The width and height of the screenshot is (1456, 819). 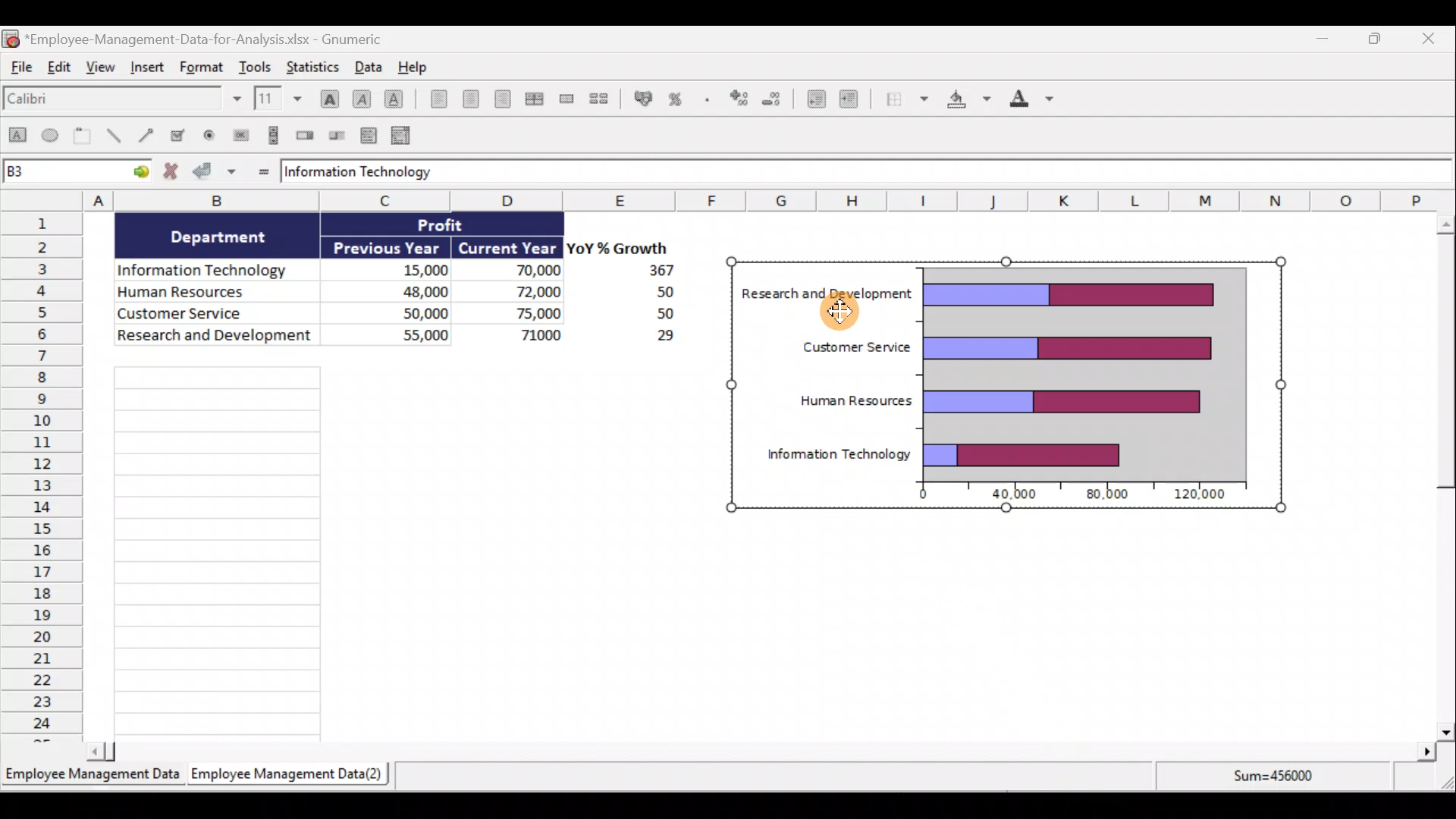 I want to click on Cursor, so click(x=846, y=317).